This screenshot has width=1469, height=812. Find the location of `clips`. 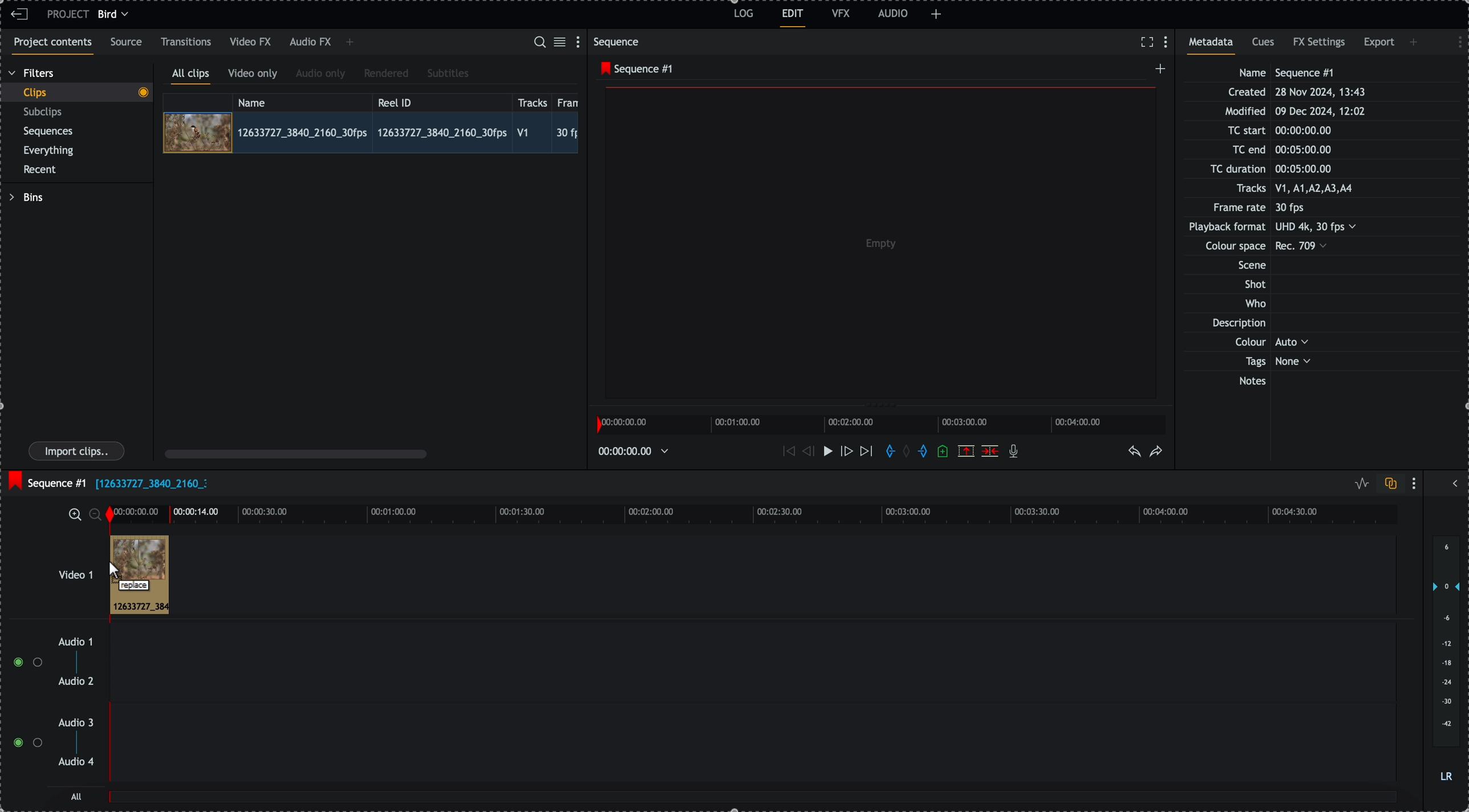

clips is located at coordinates (76, 93).